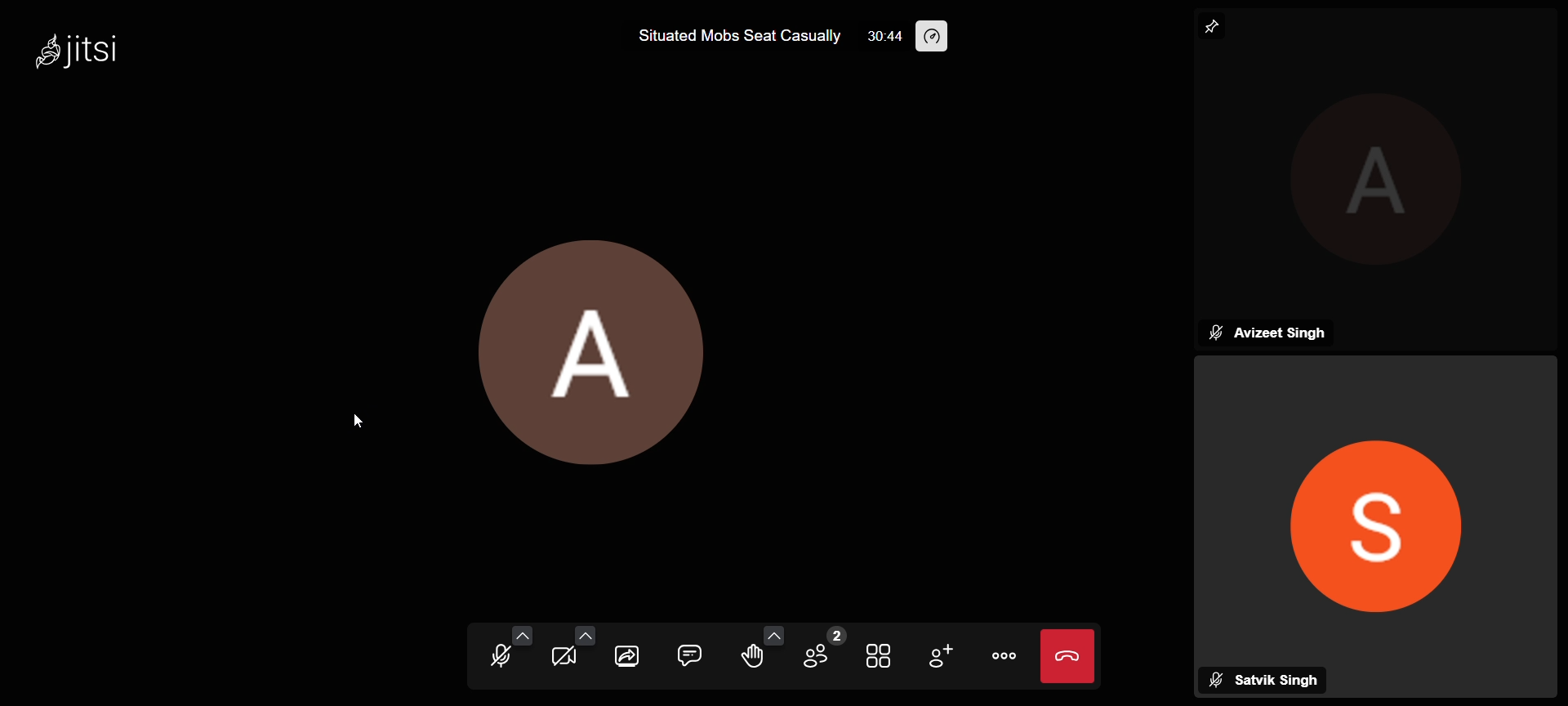 This screenshot has height=706, width=1568. Describe the element at coordinates (770, 633) in the screenshot. I see `more reaction option` at that location.